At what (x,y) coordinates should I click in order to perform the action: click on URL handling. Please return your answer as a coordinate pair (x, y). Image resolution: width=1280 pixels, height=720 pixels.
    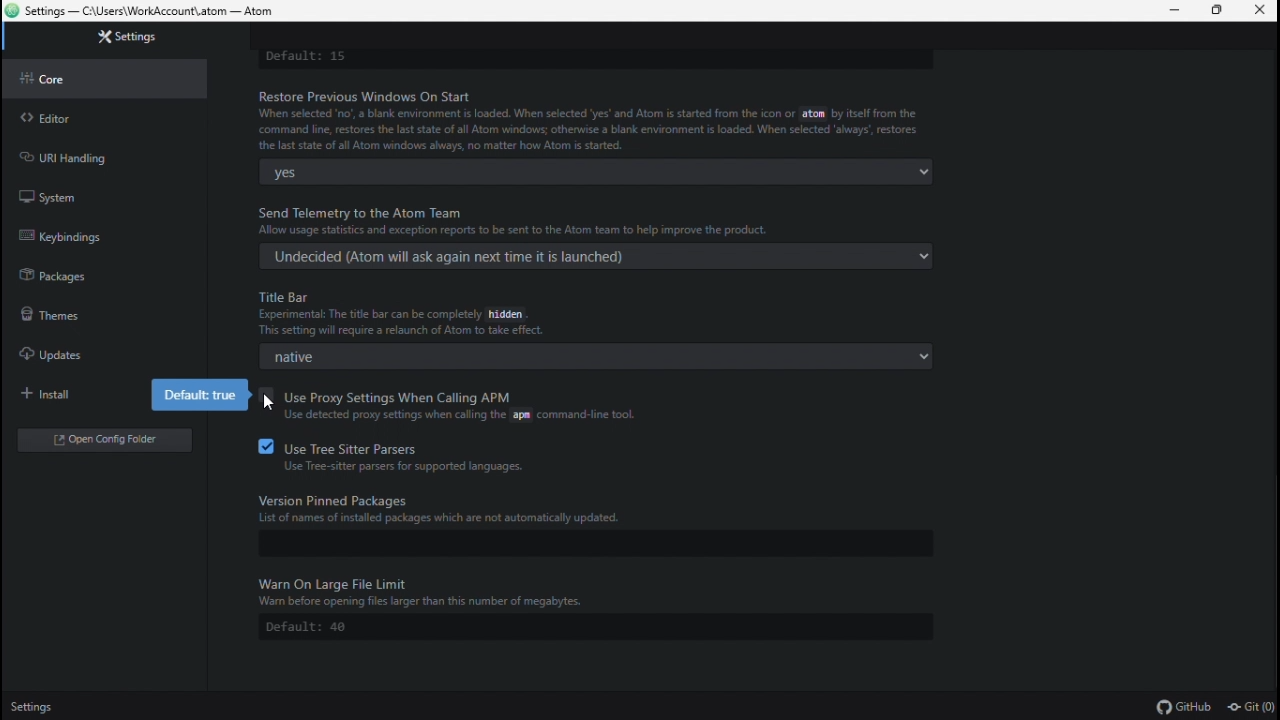
    Looking at the image, I should click on (88, 156).